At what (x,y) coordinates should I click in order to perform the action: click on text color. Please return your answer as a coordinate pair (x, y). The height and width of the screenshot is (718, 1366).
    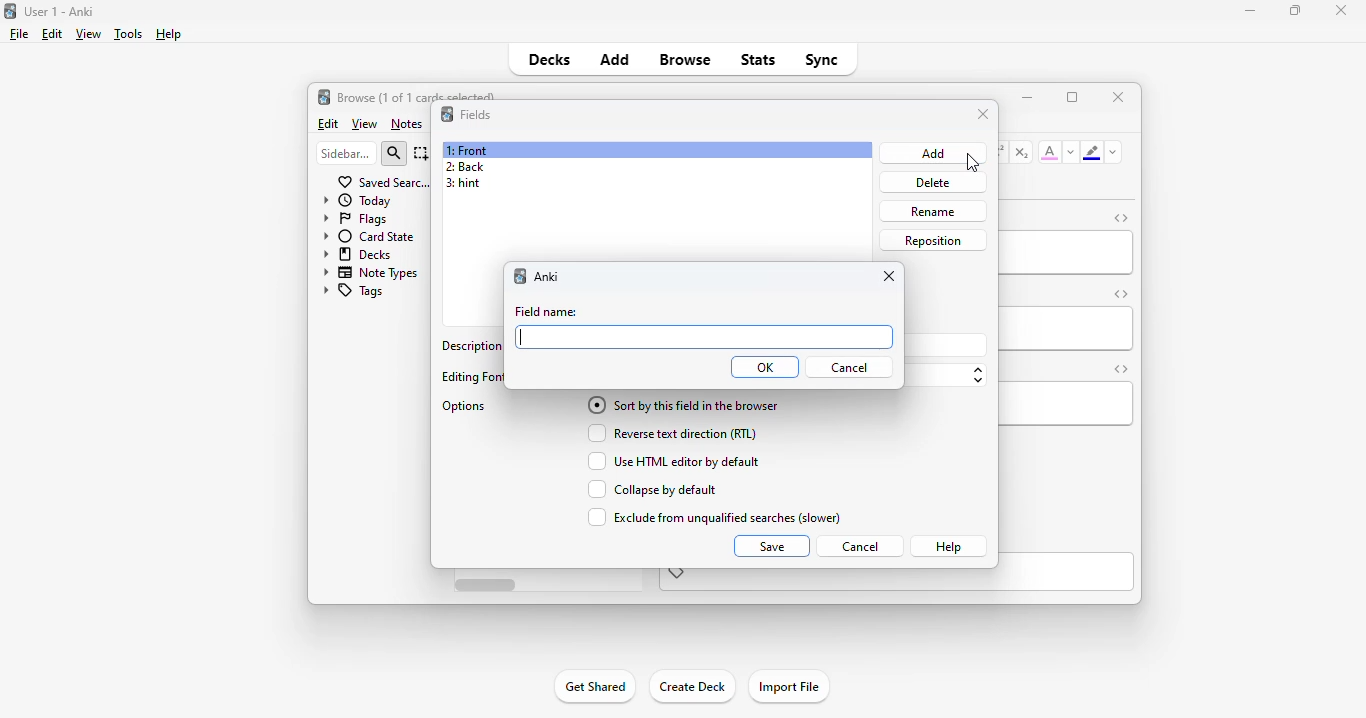
    Looking at the image, I should click on (1050, 151).